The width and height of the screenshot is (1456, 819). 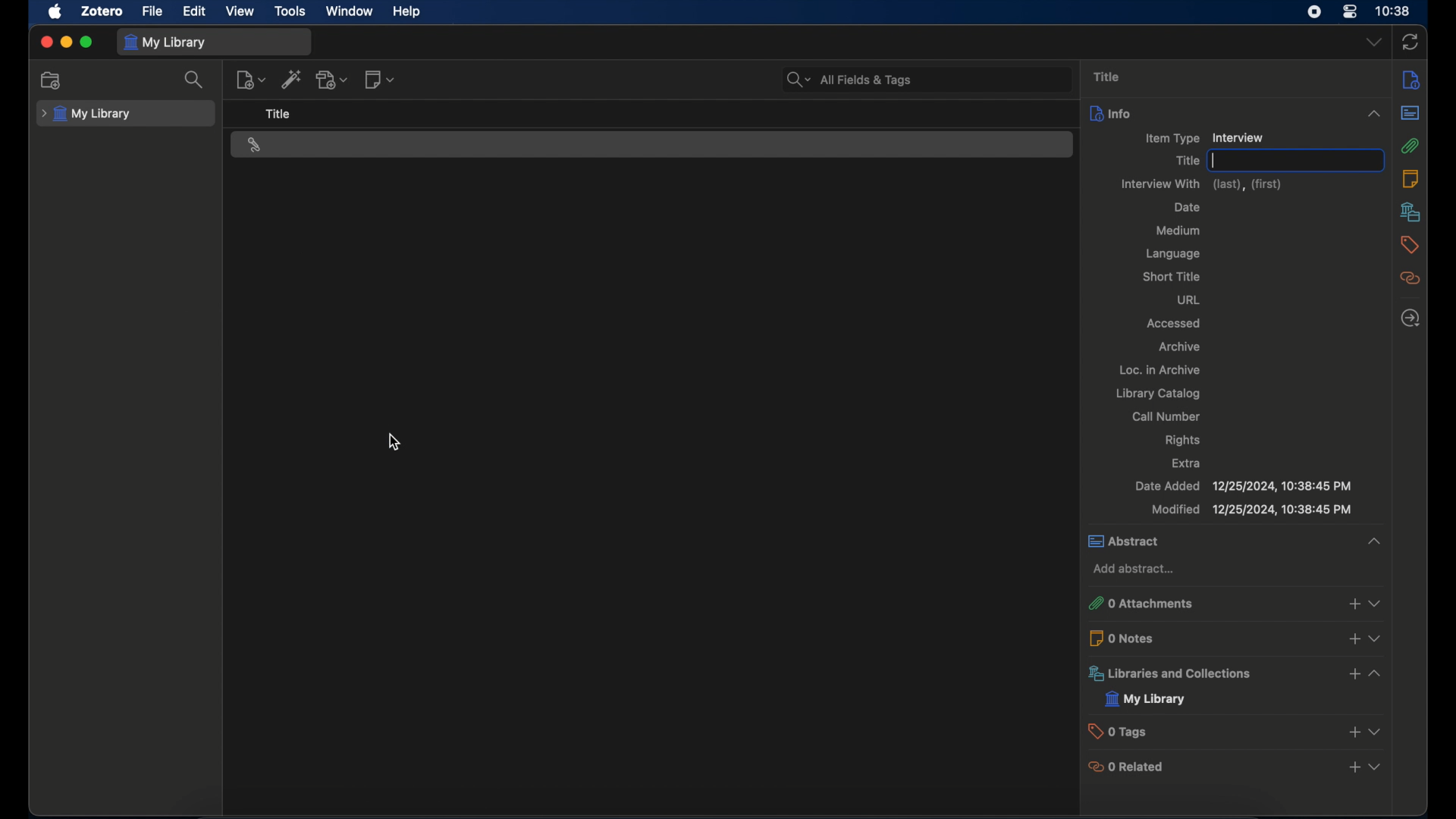 What do you see at coordinates (1188, 463) in the screenshot?
I see `extra` at bounding box center [1188, 463].